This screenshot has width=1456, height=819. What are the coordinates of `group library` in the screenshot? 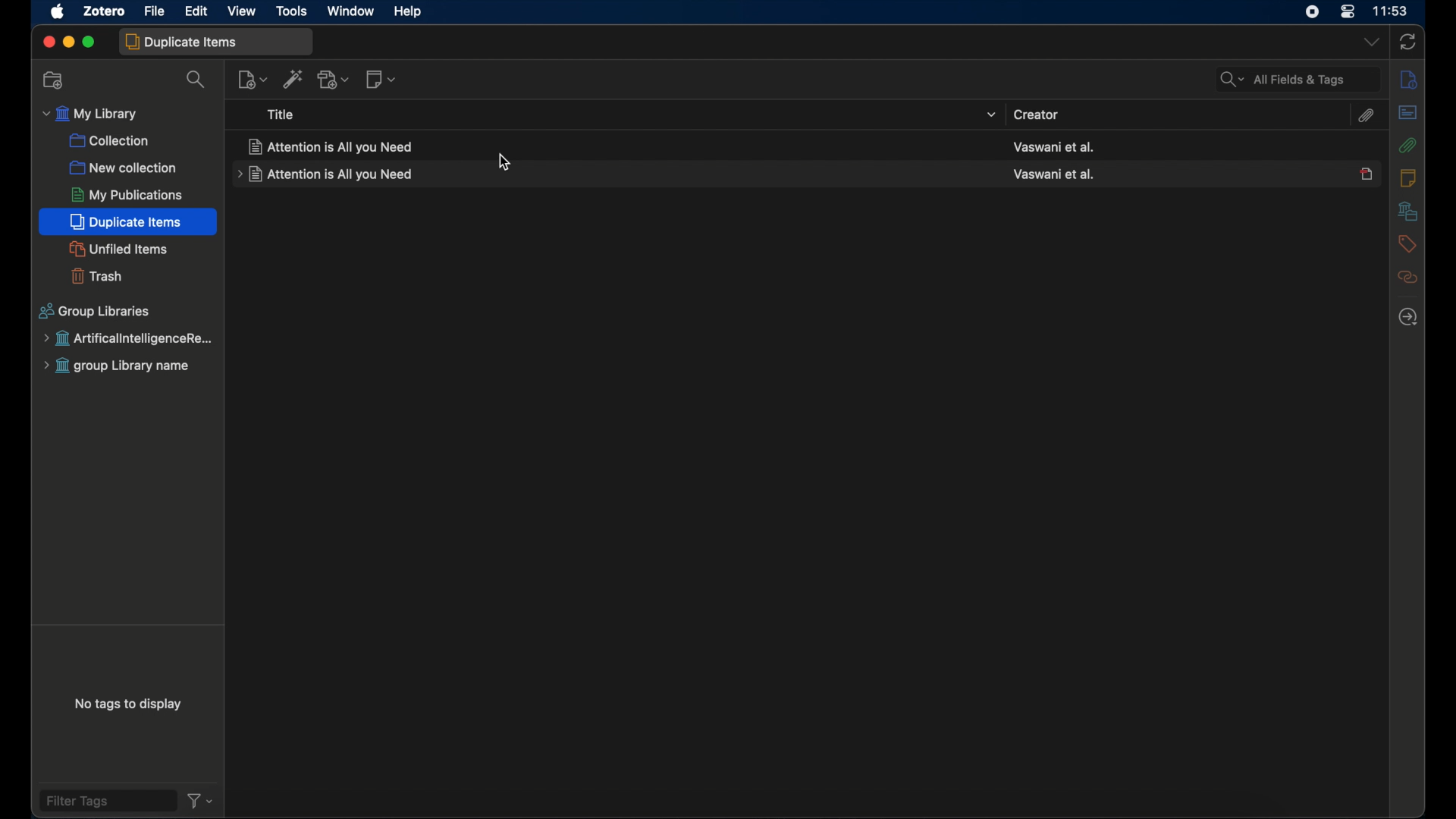 It's located at (127, 339).